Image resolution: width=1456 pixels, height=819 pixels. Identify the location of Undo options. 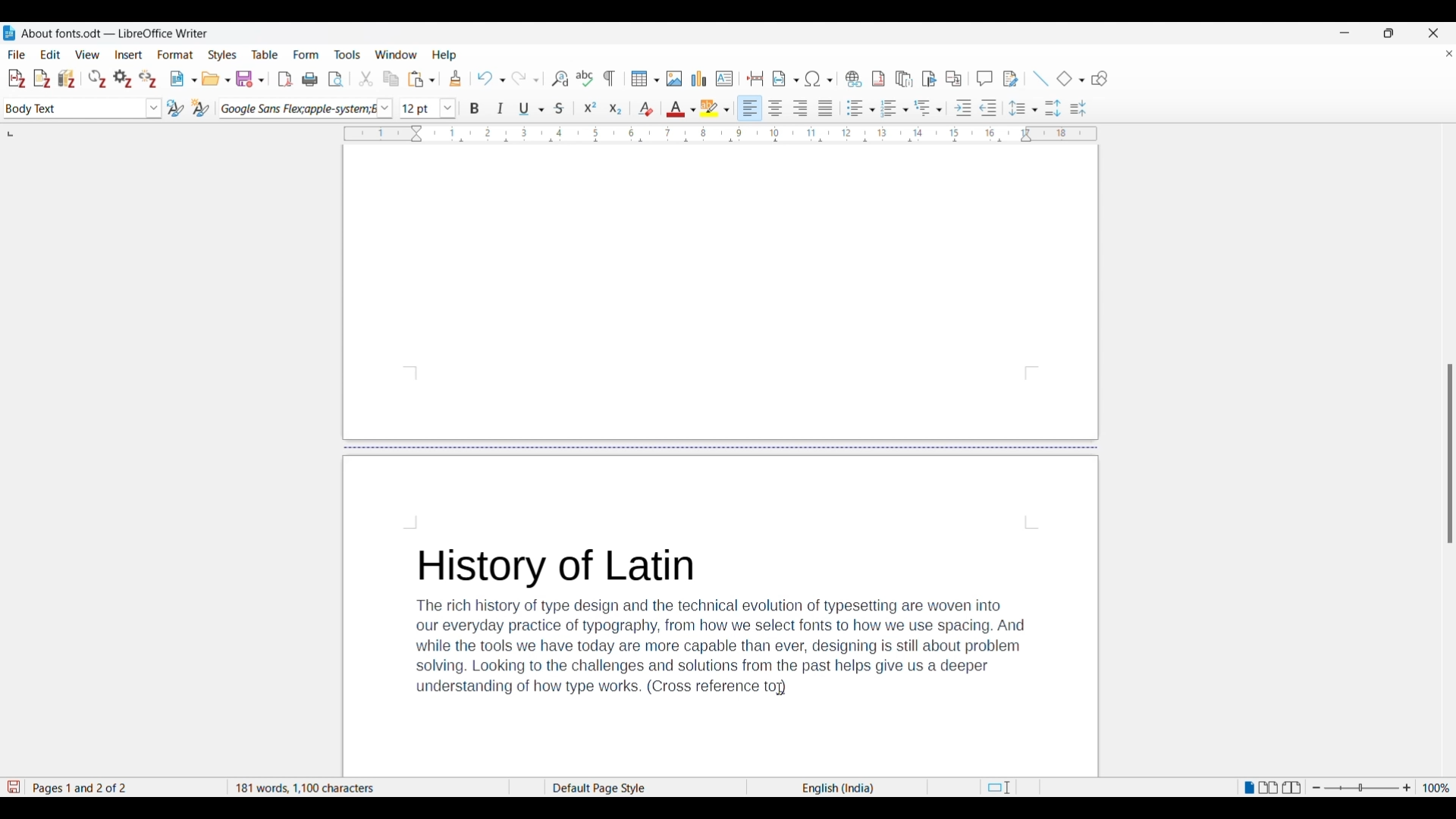
(491, 79).